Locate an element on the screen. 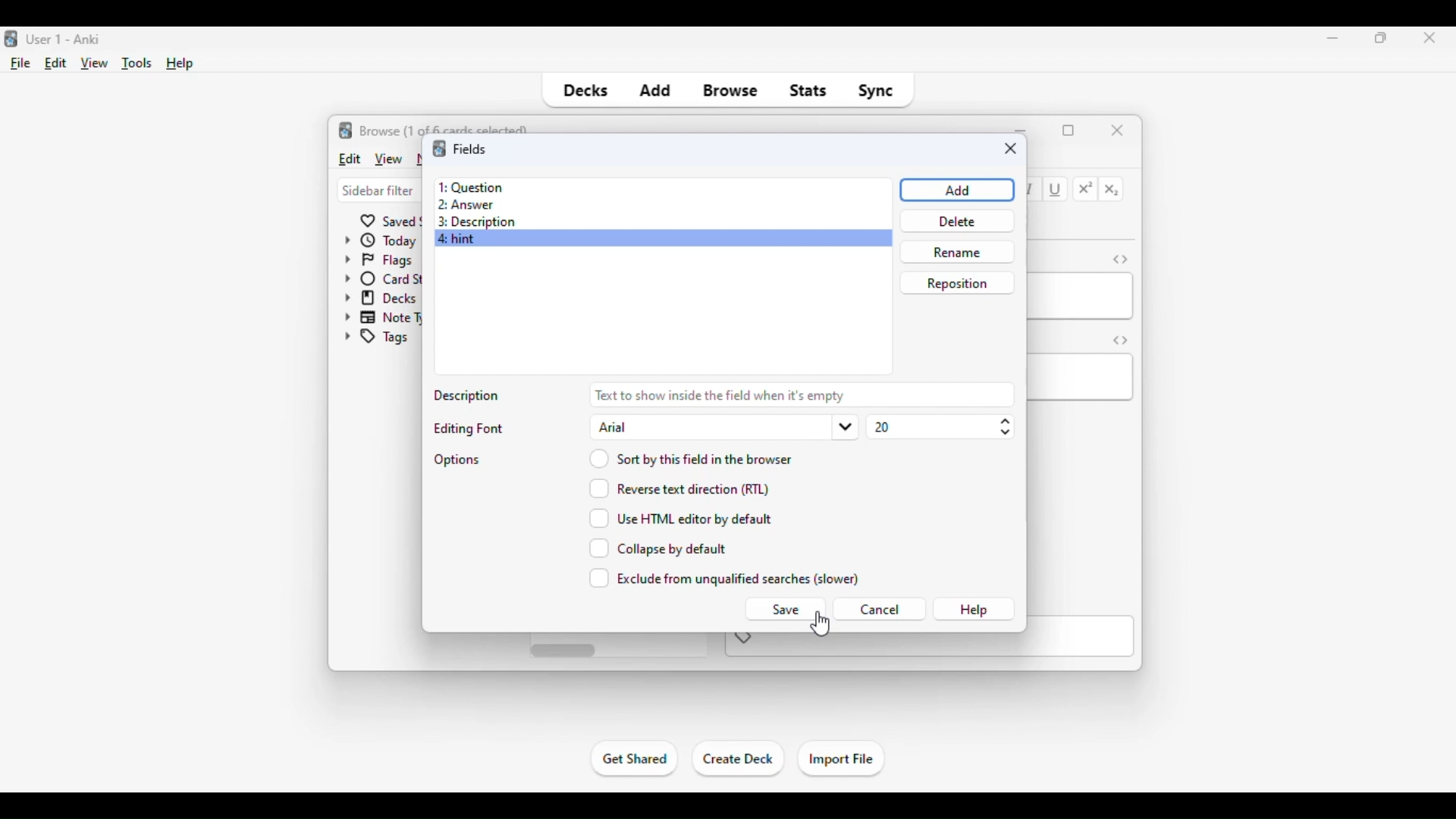  file is located at coordinates (21, 64).